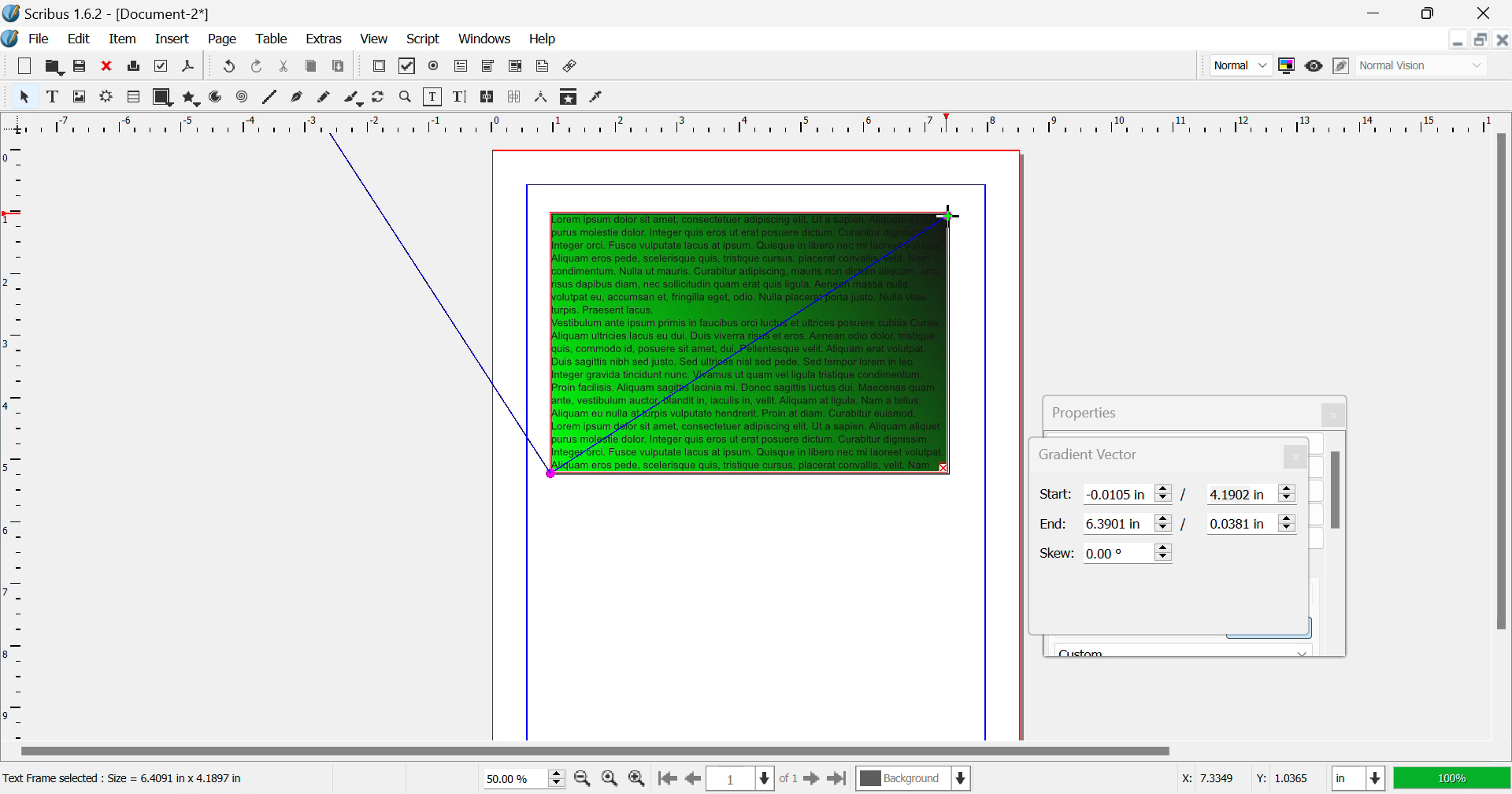  I want to click on Copy, so click(312, 69).